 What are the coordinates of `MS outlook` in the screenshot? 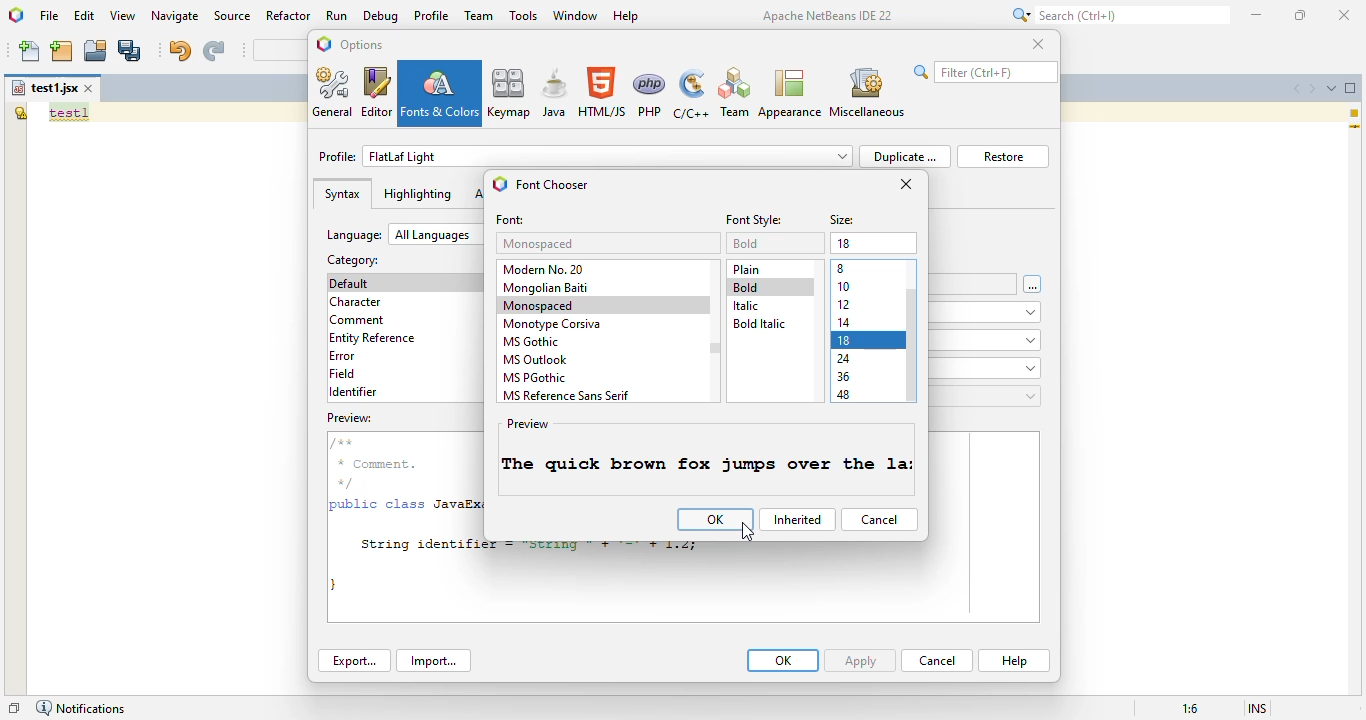 It's located at (536, 360).